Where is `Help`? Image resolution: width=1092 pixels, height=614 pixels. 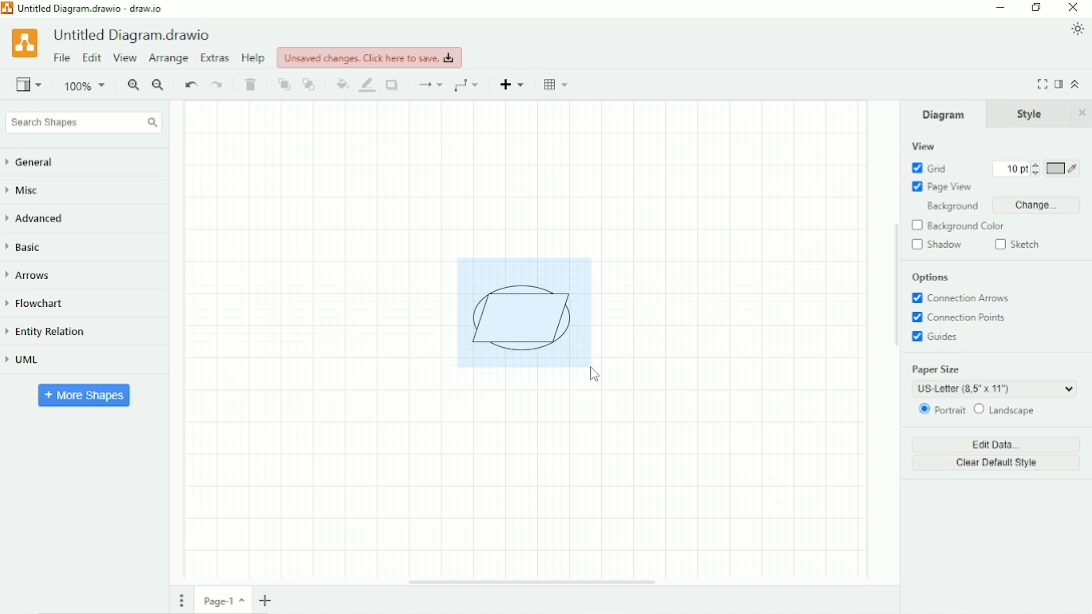
Help is located at coordinates (254, 58).